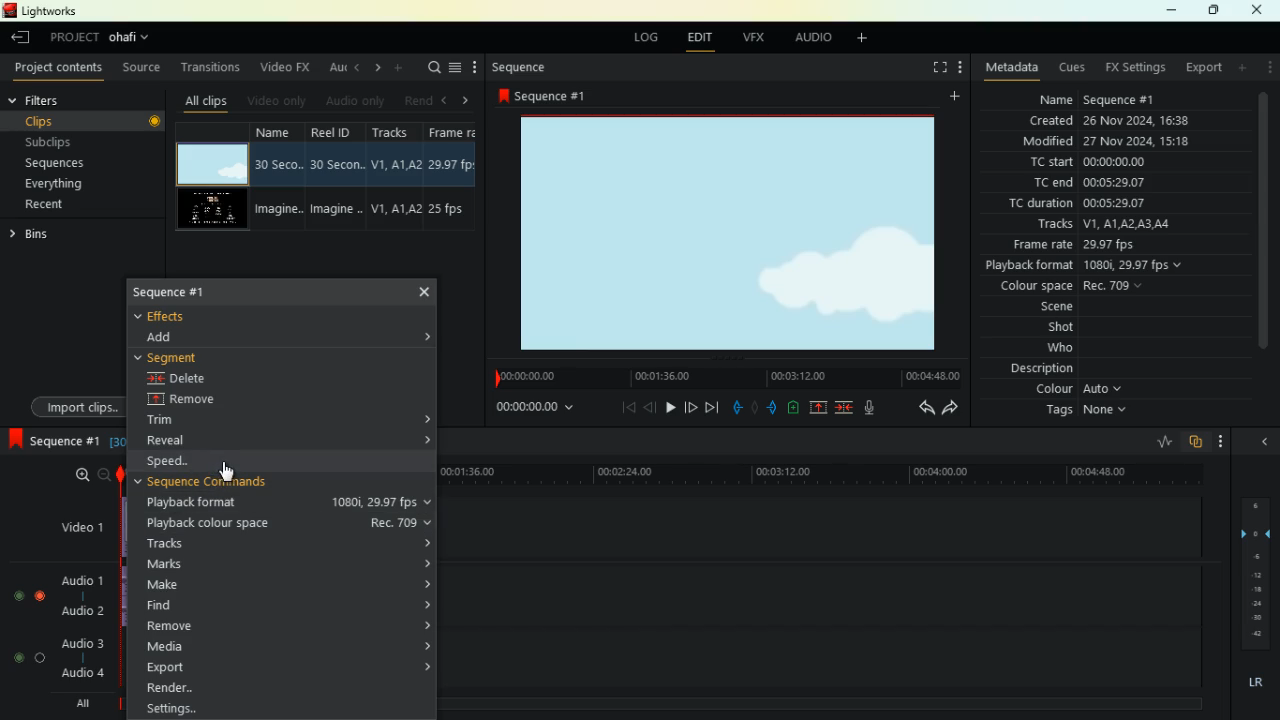 This screenshot has height=720, width=1280. What do you see at coordinates (1157, 443) in the screenshot?
I see `rate` at bounding box center [1157, 443].